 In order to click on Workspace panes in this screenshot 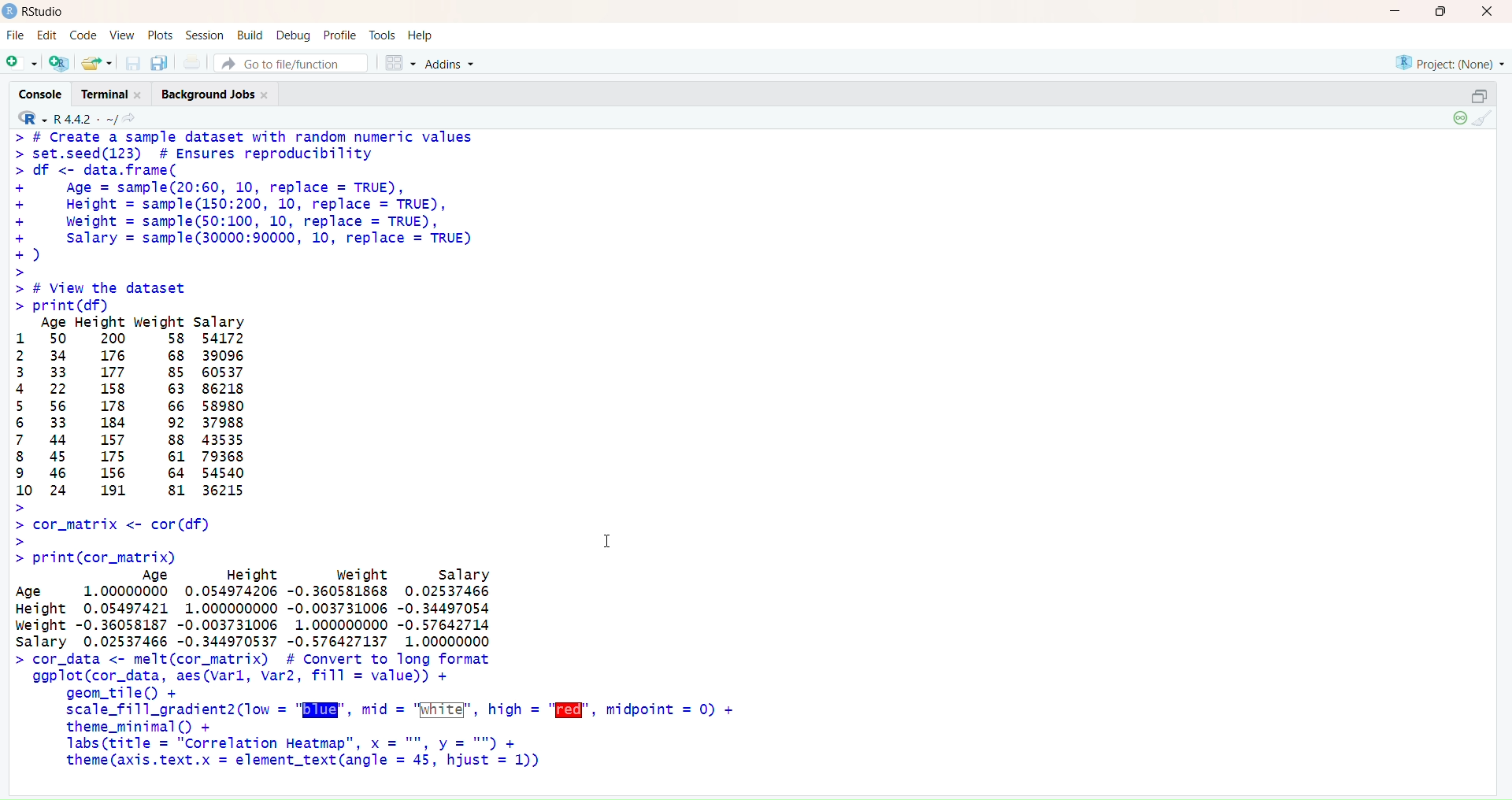, I will do `click(397, 62)`.